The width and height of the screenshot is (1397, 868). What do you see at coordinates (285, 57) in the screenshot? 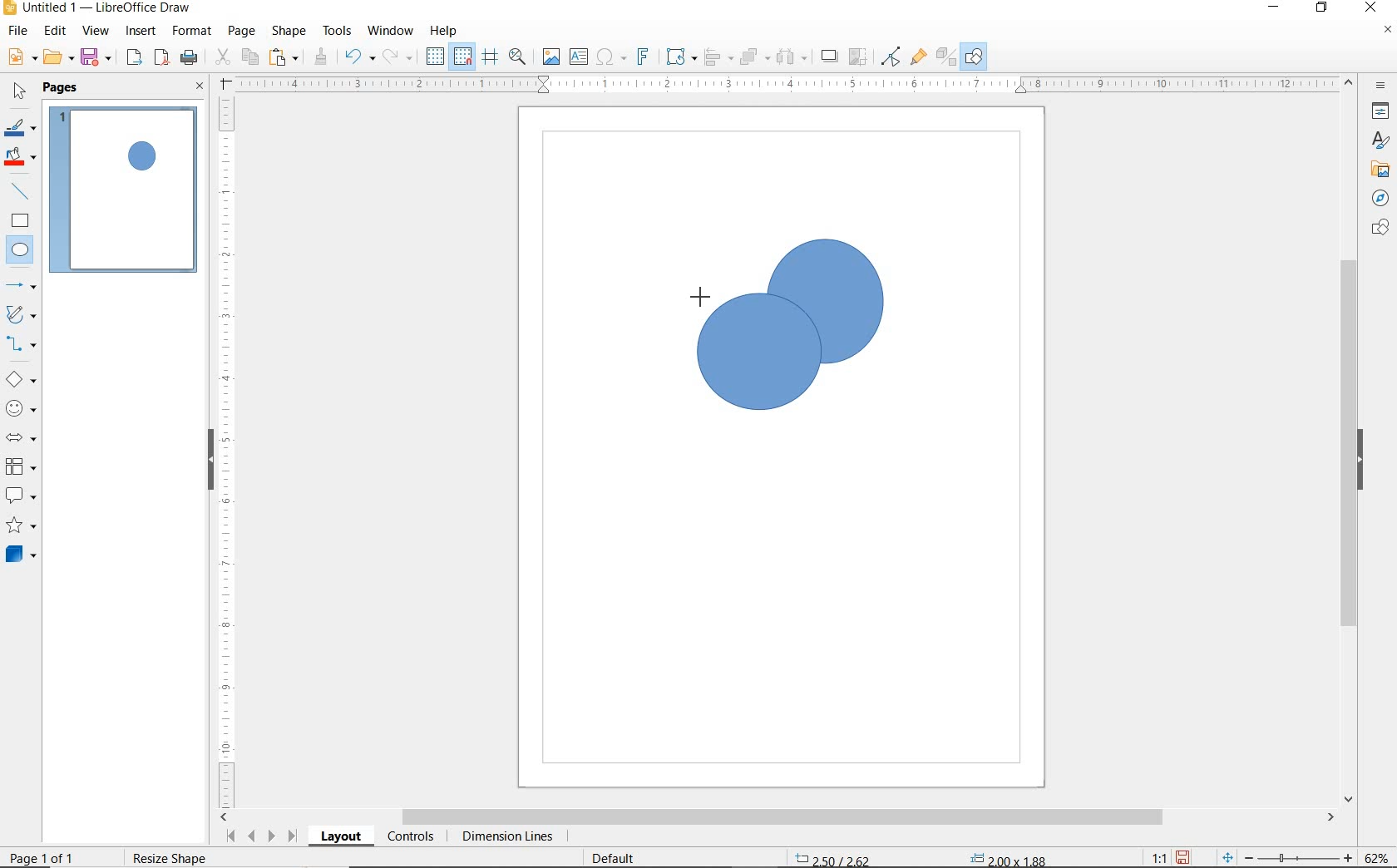
I see `PASTE` at bounding box center [285, 57].